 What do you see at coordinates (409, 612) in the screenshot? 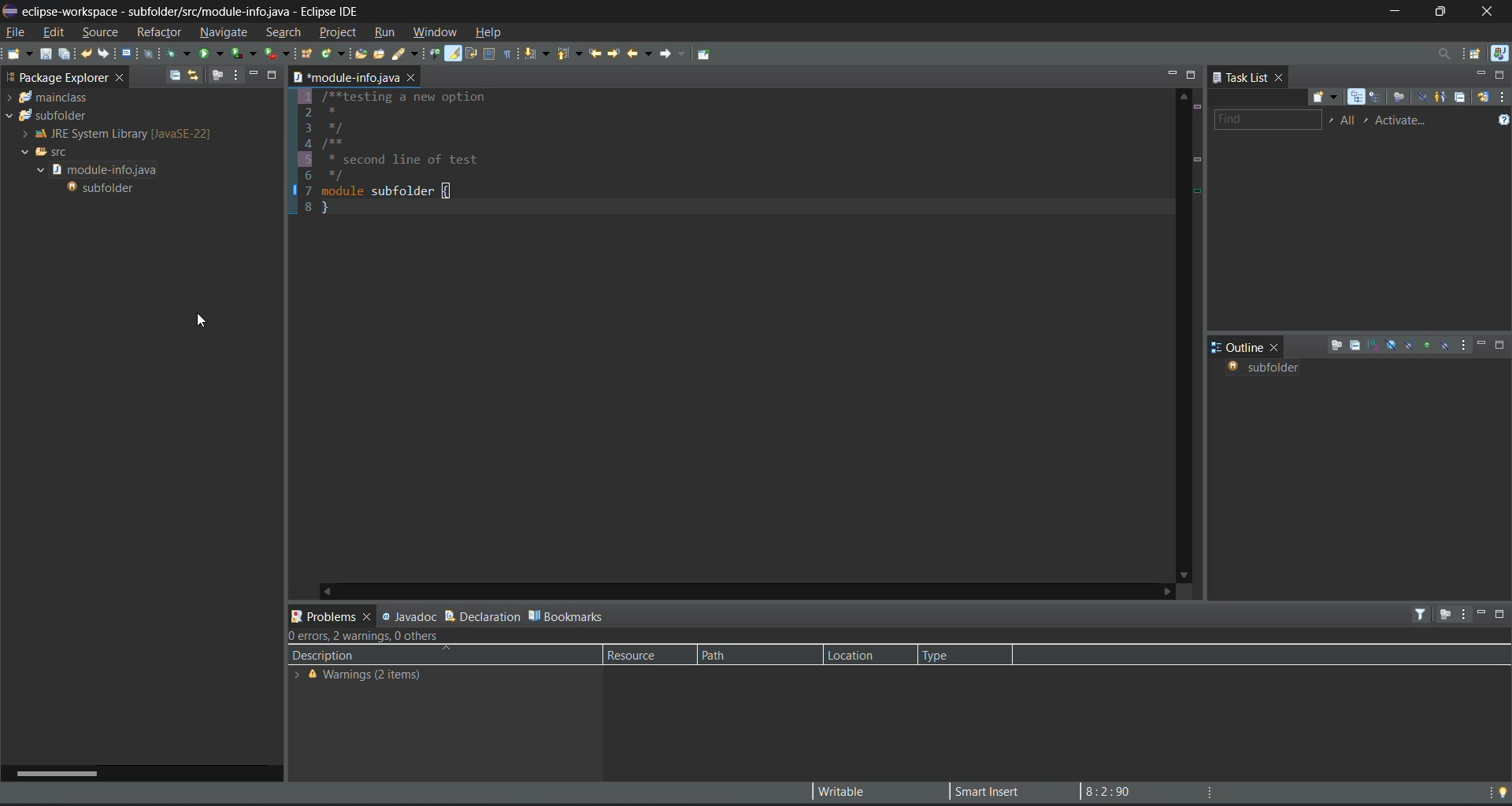
I see `javadoc` at bounding box center [409, 612].